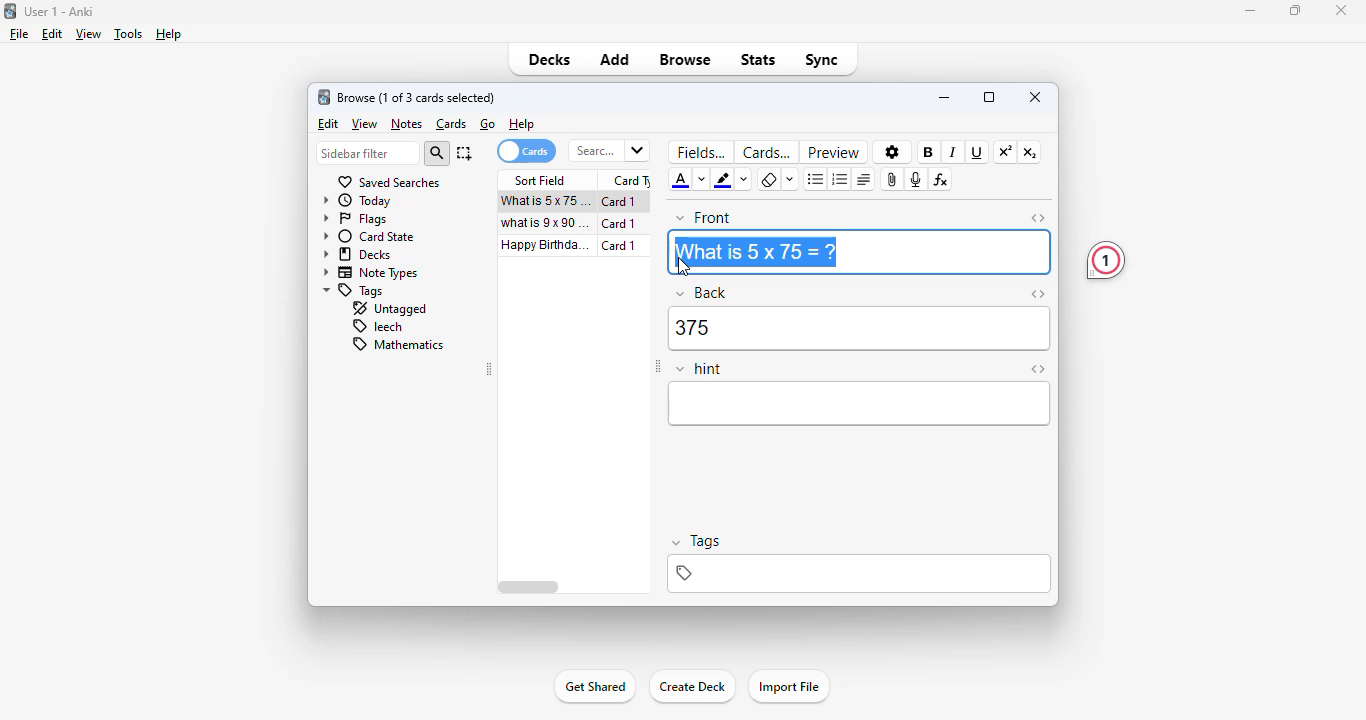  I want to click on what is 9x90=?, so click(546, 223).